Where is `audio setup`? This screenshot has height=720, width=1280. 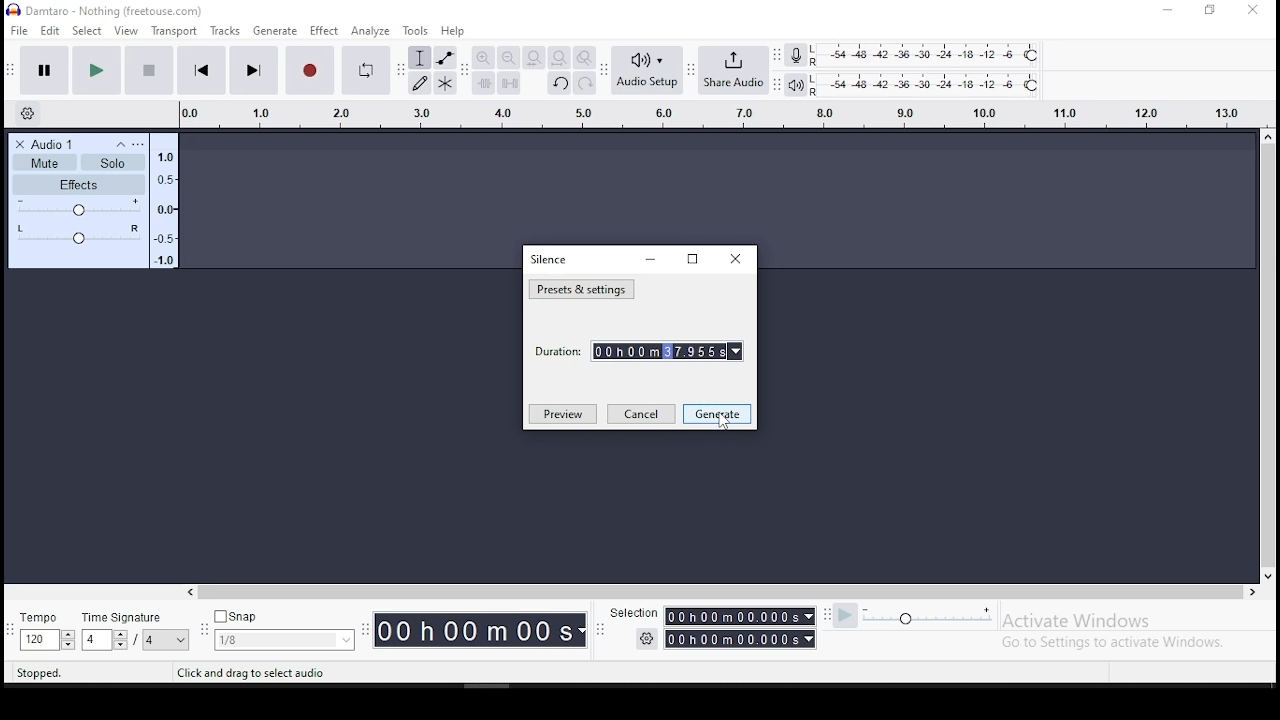 audio setup is located at coordinates (647, 71).